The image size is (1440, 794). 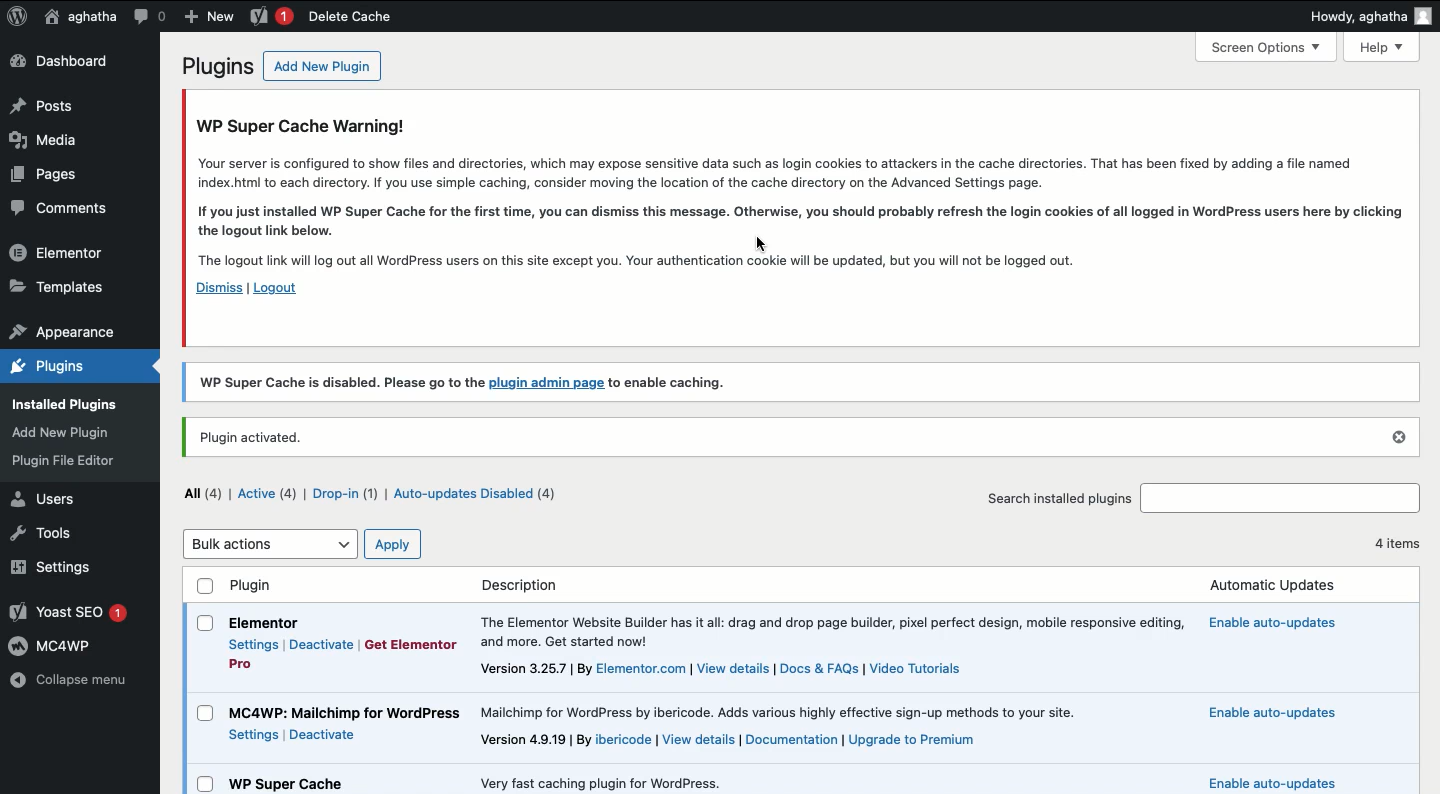 What do you see at coordinates (479, 493) in the screenshot?
I see `Auto updates disabled` at bounding box center [479, 493].